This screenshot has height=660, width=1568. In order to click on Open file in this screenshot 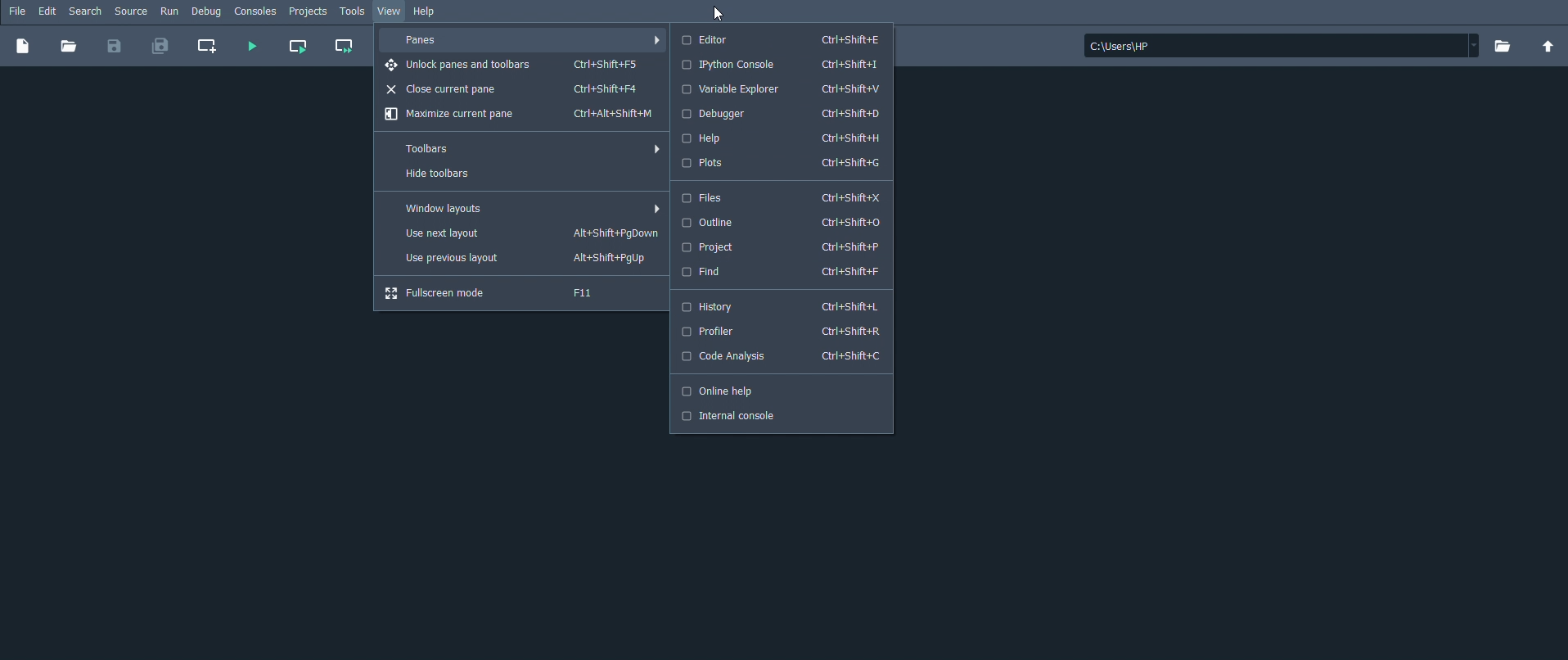, I will do `click(69, 47)`.